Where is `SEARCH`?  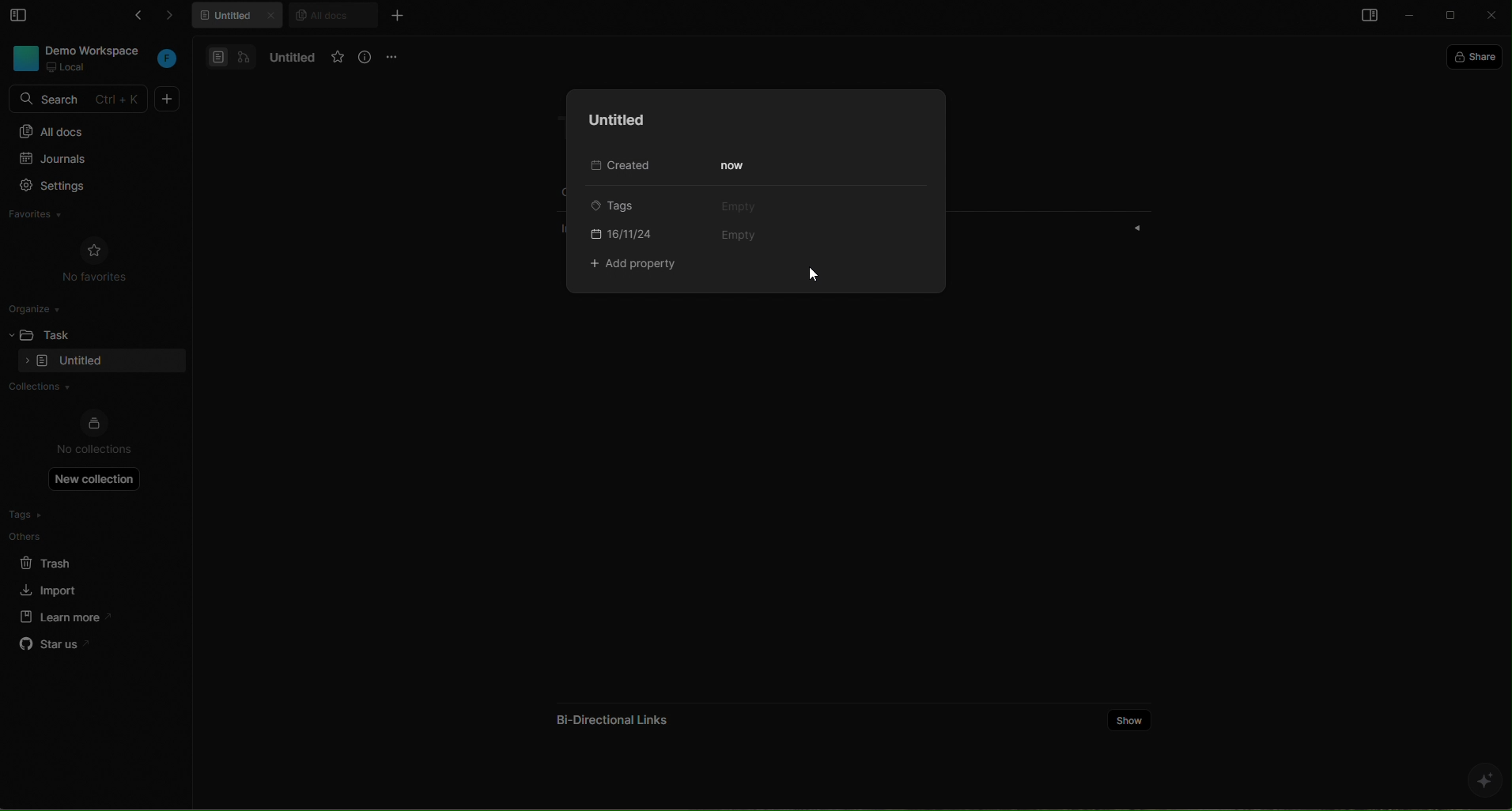
SEARCH is located at coordinates (81, 100).